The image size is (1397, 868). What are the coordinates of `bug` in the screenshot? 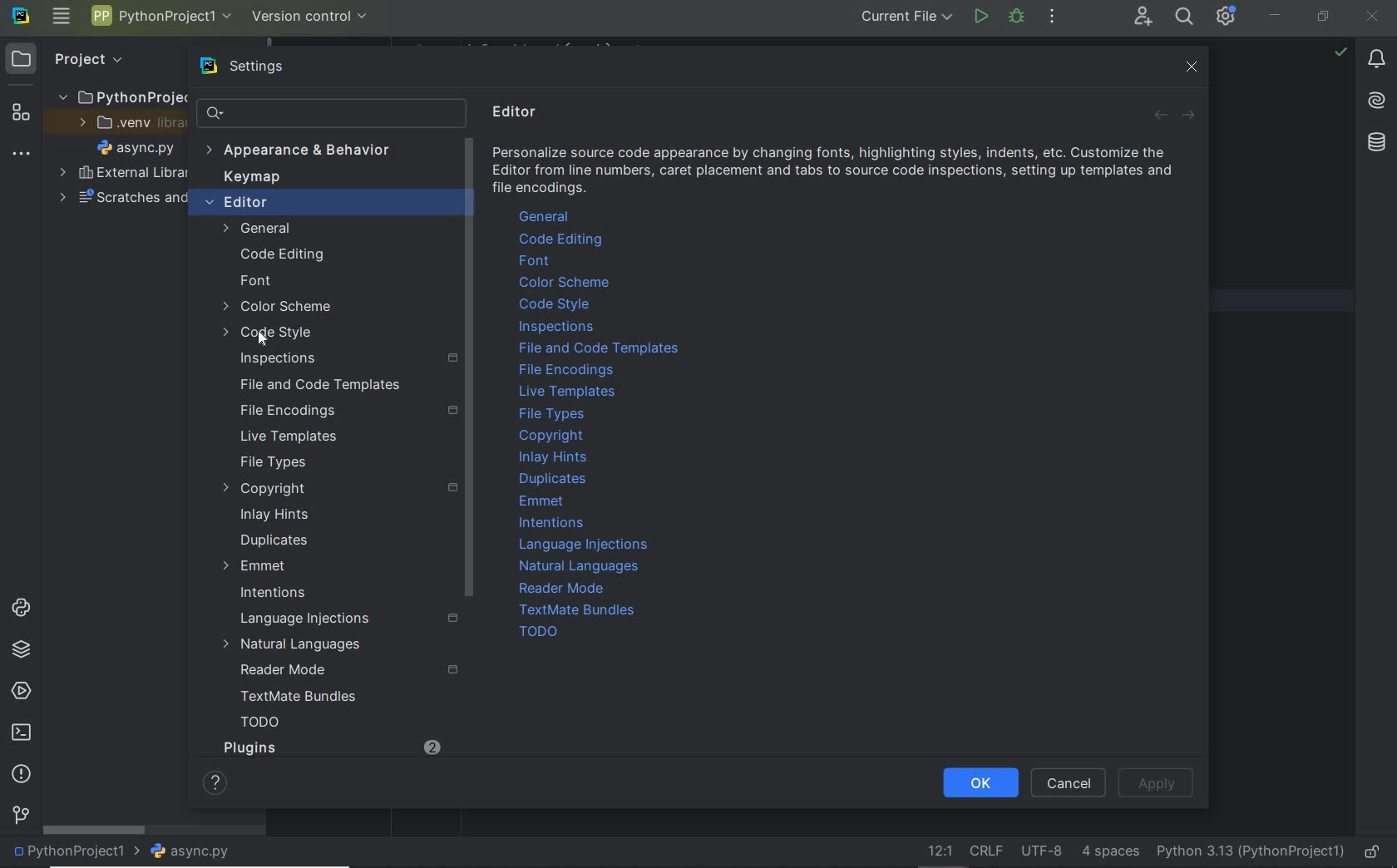 It's located at (1015, 16).